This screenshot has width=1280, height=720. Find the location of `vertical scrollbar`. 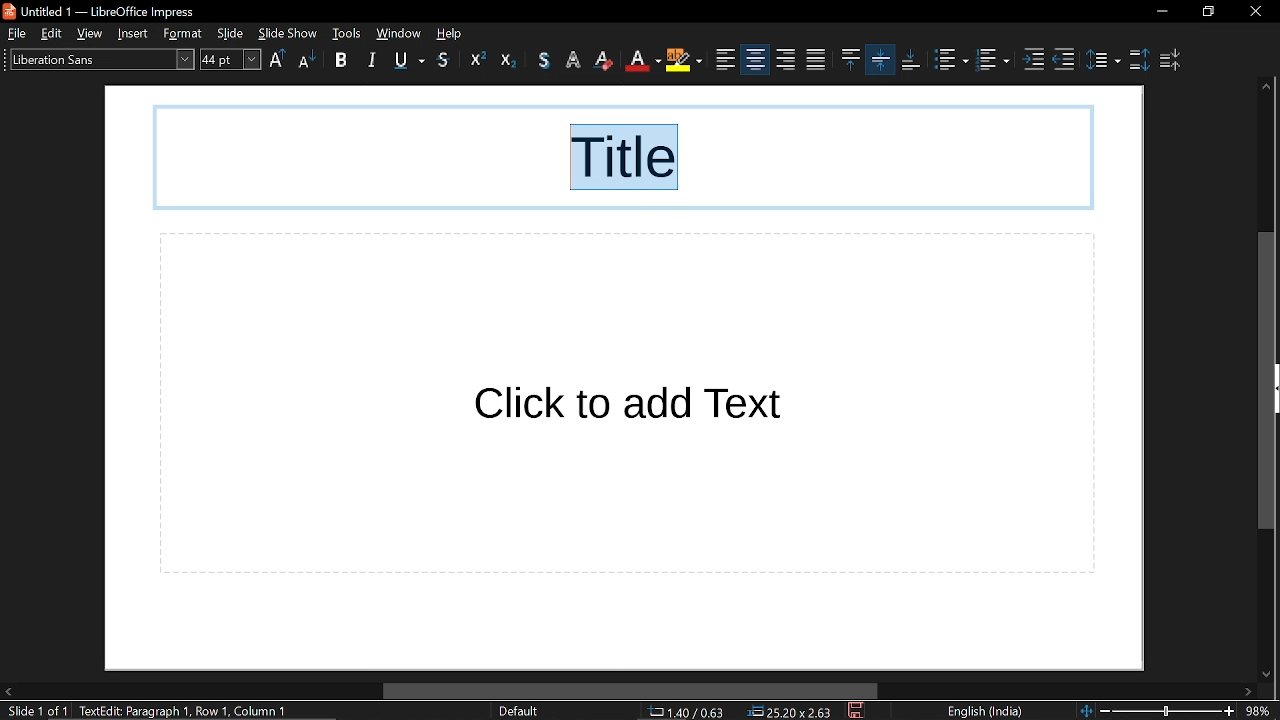

vertical scrollbar is located at coordinates (1264, 383).